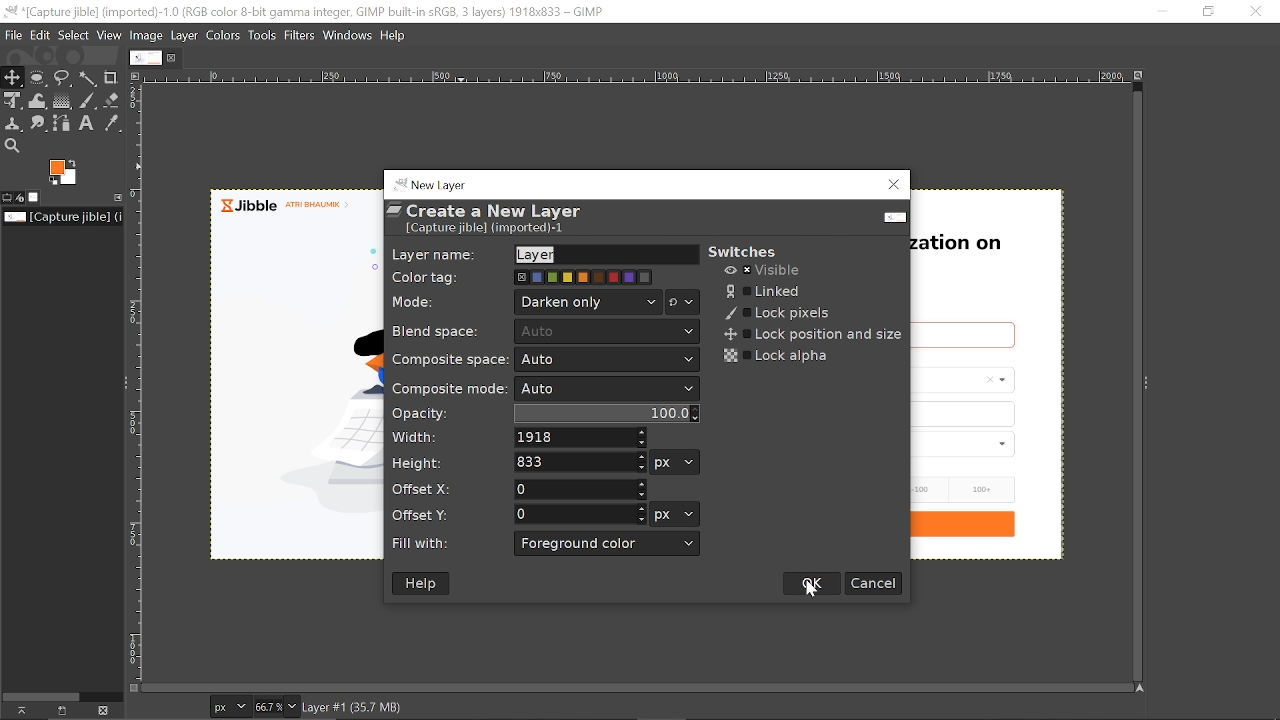 This screenshot has width=1280, height=720. What do you see at coordinates (588, 301) in the screenshot?
I see `Mode options` at bounding box center [588, 301].